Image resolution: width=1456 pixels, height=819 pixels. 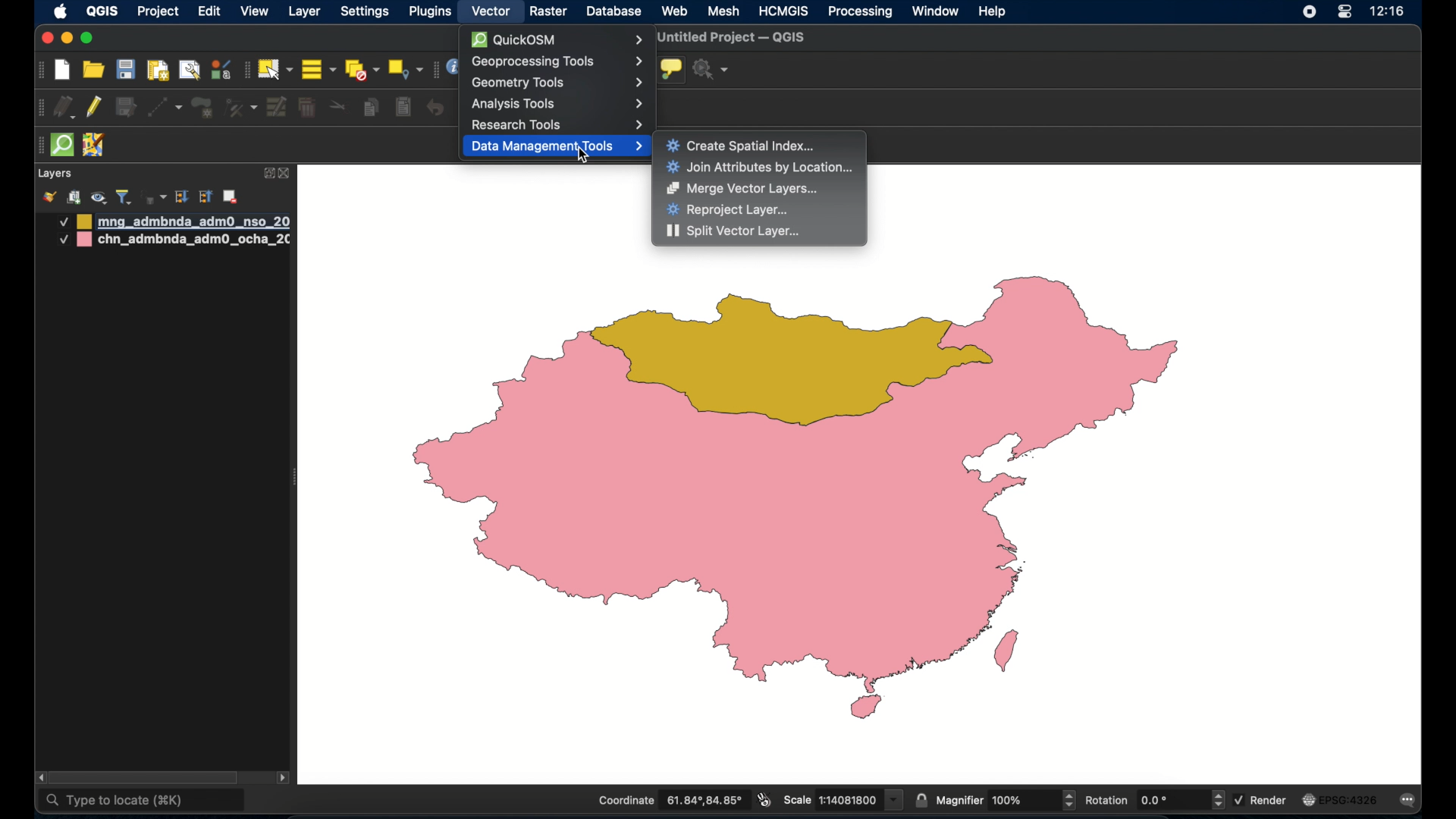 What do you see at coordinates (1340, 801) in the screenshot?
I see `EPSG:4326` at bounding box center [1340, 801].